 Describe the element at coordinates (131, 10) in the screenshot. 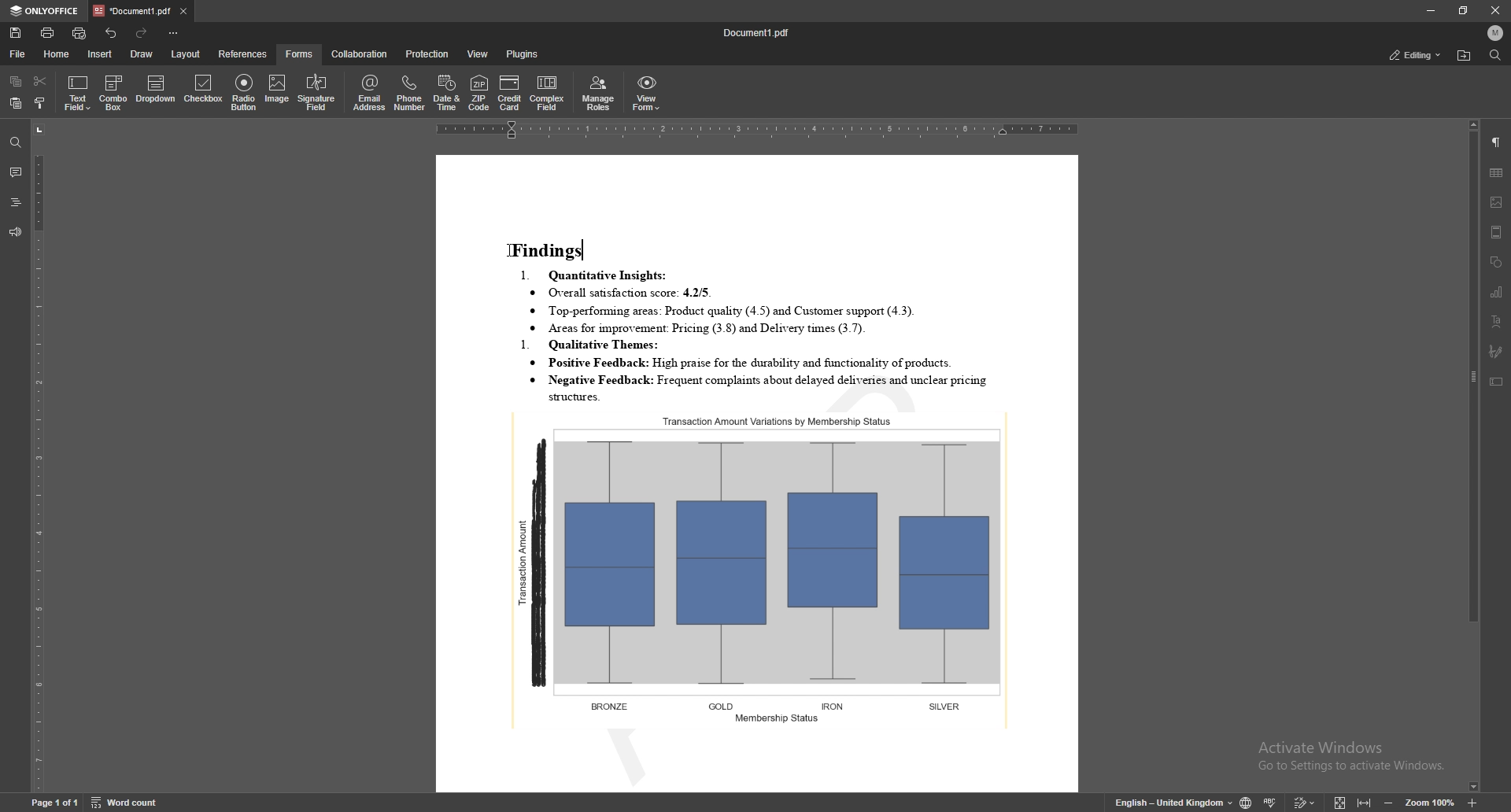

I see `tab` at that location.